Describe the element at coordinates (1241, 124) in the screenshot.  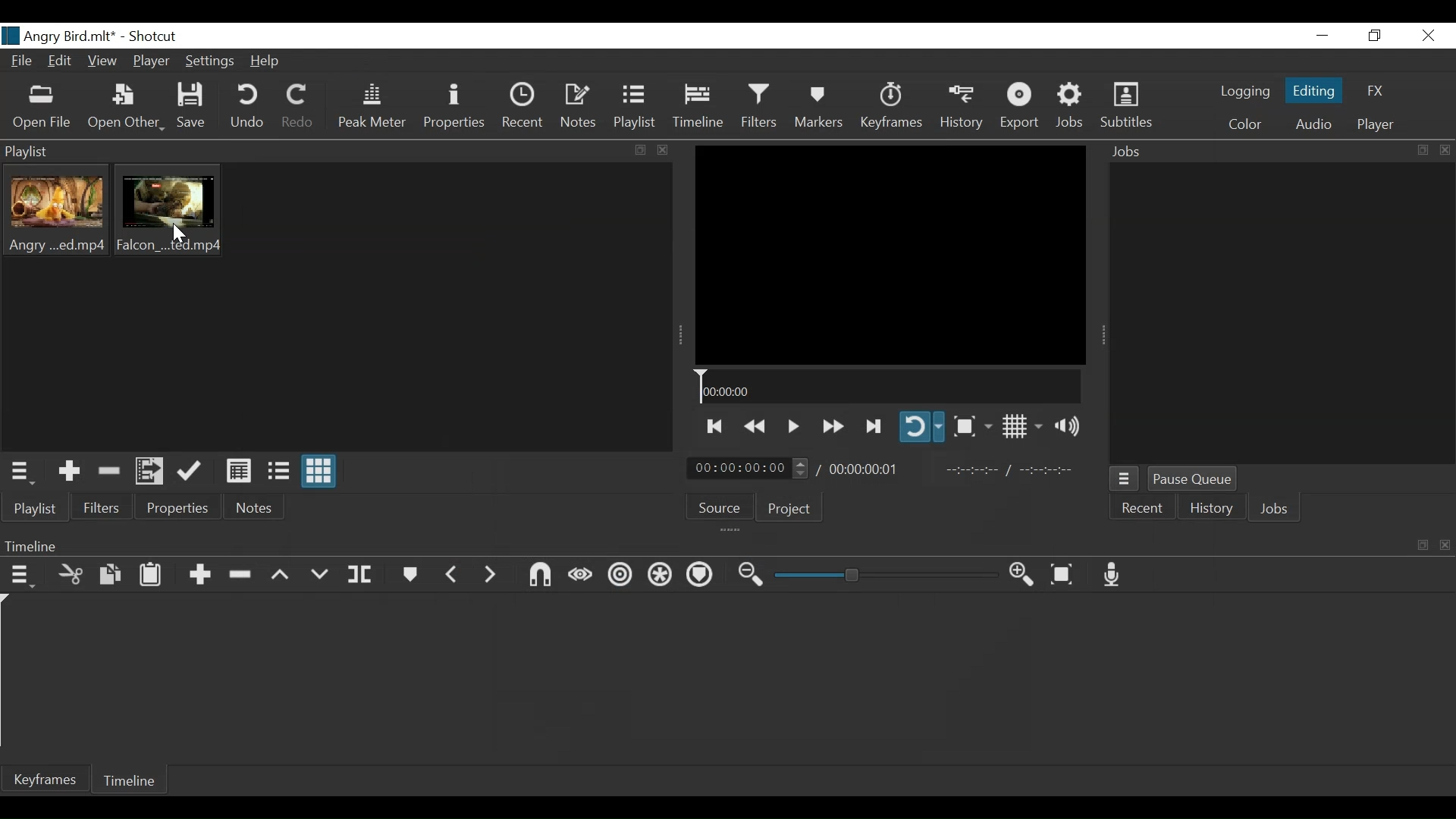
I see `Color` at that location.